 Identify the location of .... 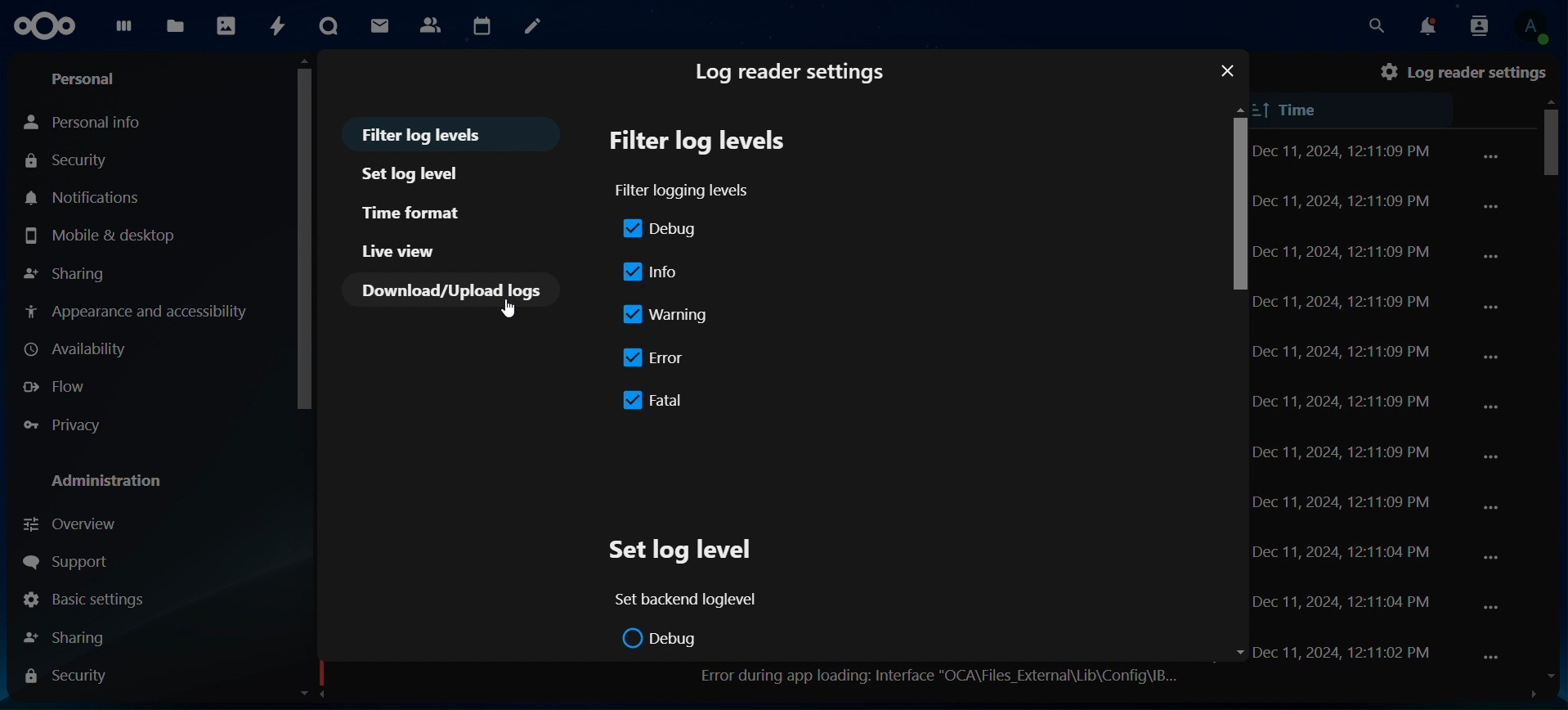
(1494, 410).